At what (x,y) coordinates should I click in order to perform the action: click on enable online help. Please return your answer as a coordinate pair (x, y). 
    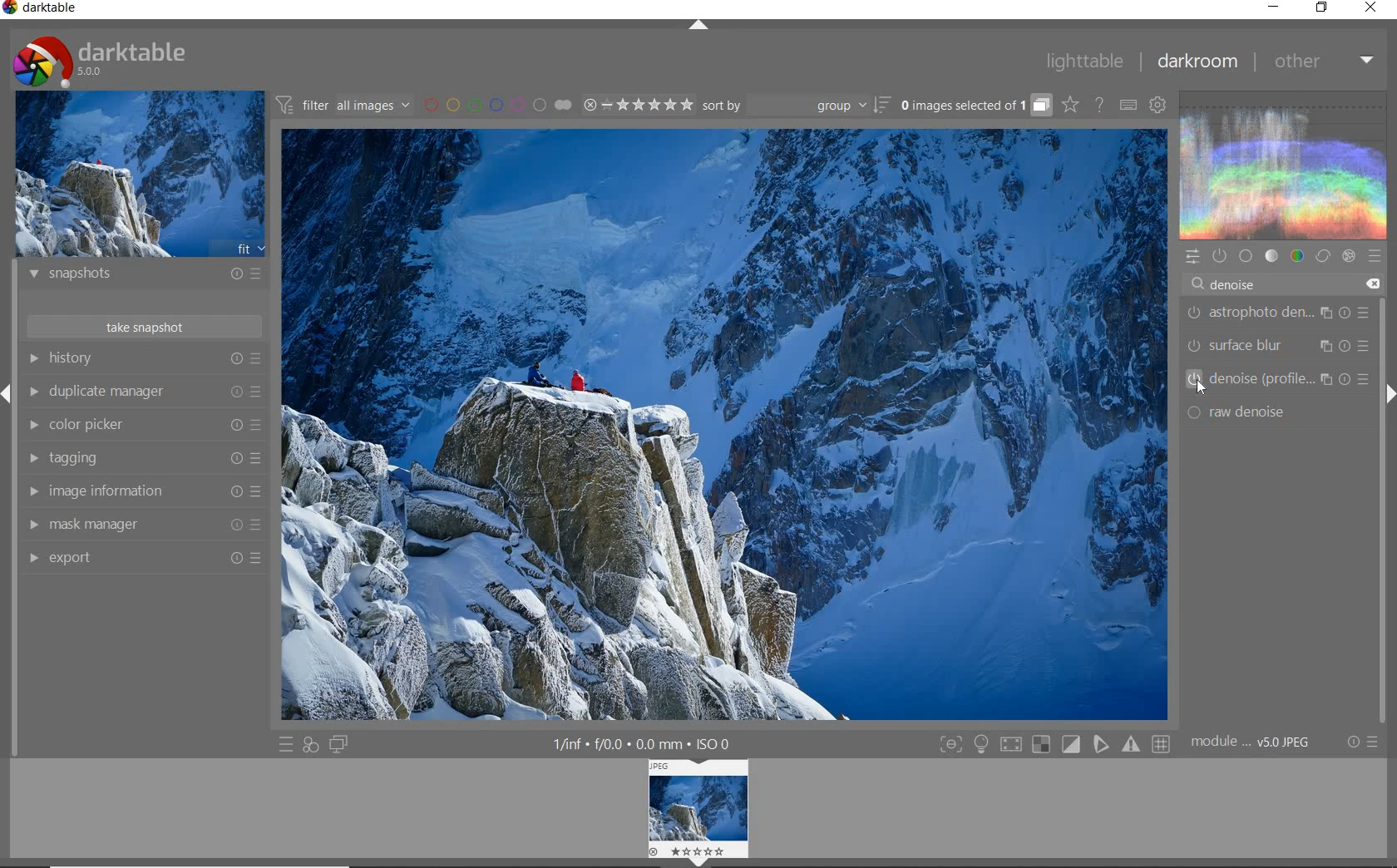
    Looking at the image, I should click on (1101, 106).